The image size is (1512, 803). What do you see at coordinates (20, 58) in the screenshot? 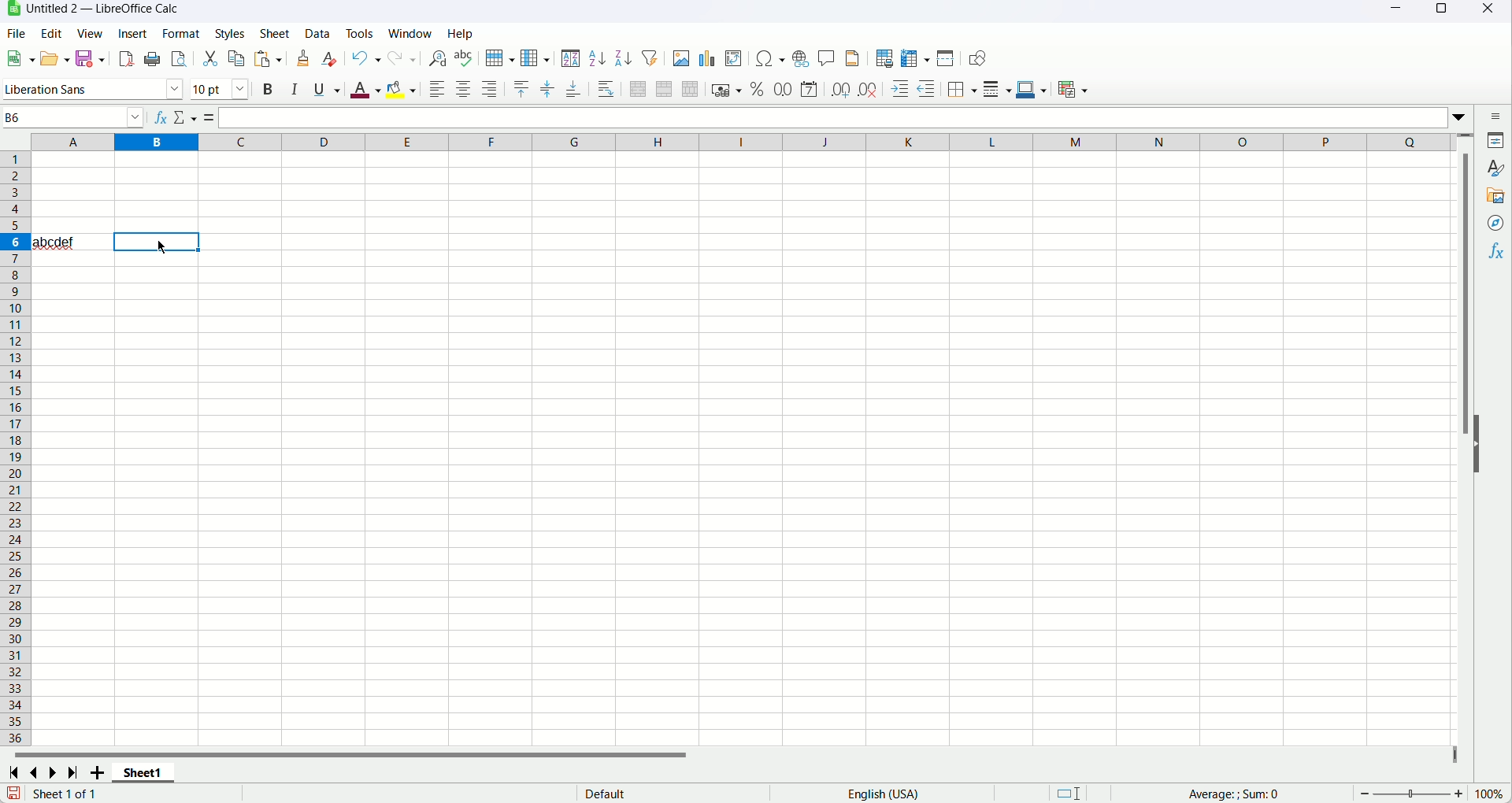
I see `open` at bounding box center [20, 58].